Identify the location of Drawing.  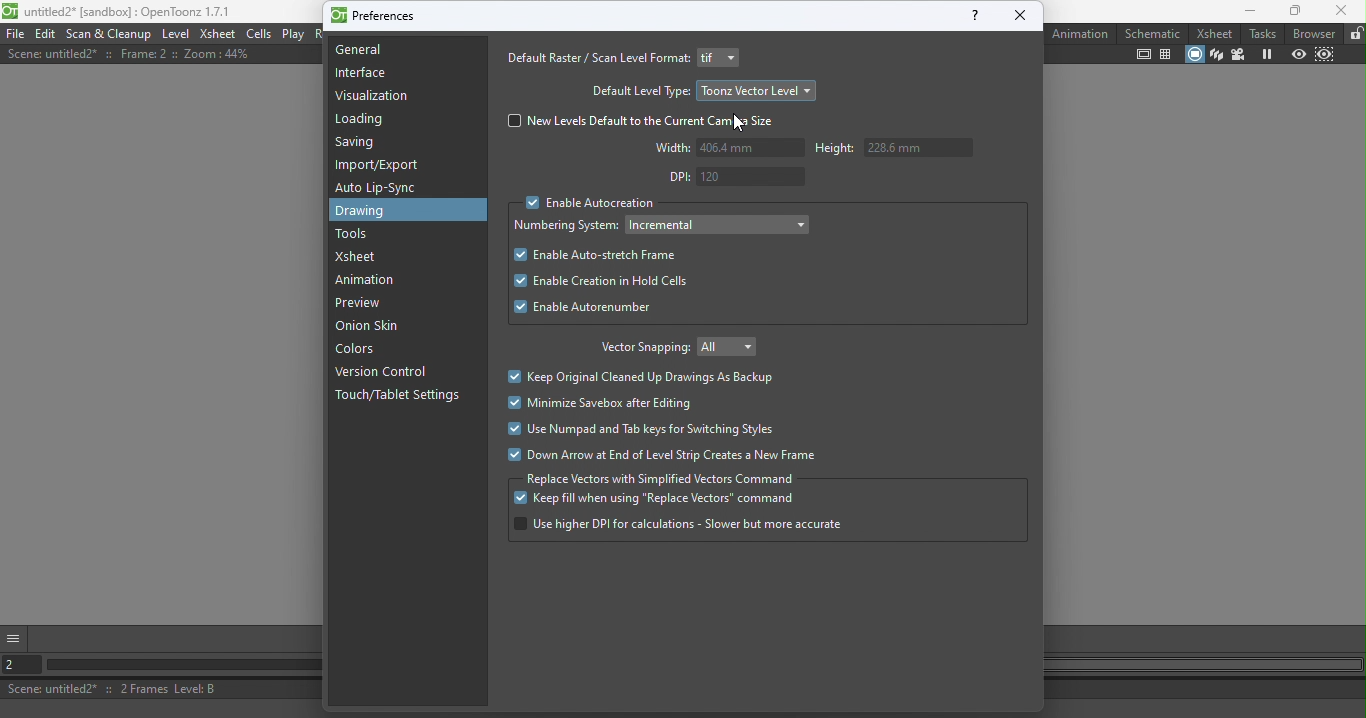
(367, 211).